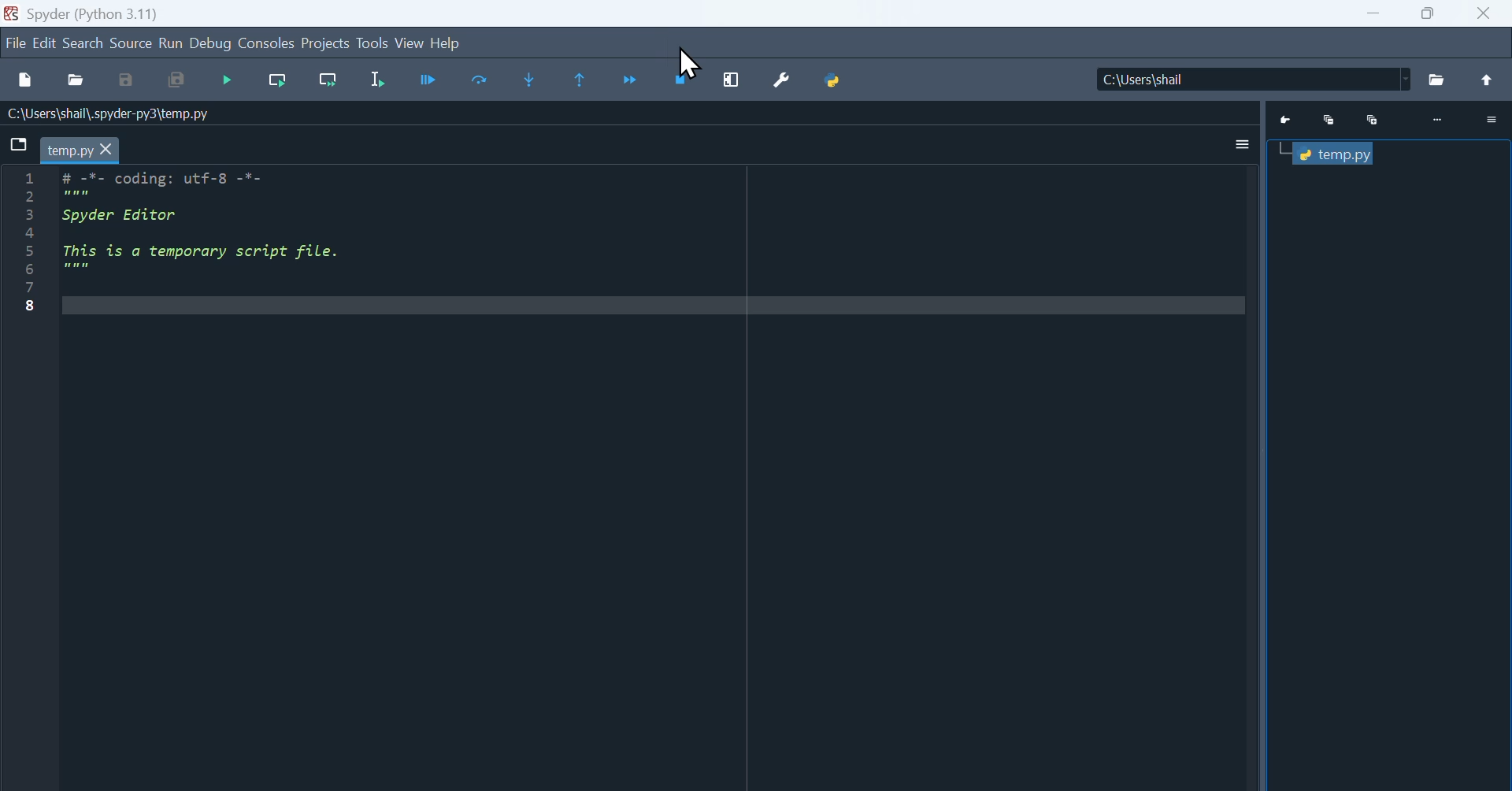  Describe the element at coordinates (683, 80) in the screenshot. I see `Stop debugging` at that location.